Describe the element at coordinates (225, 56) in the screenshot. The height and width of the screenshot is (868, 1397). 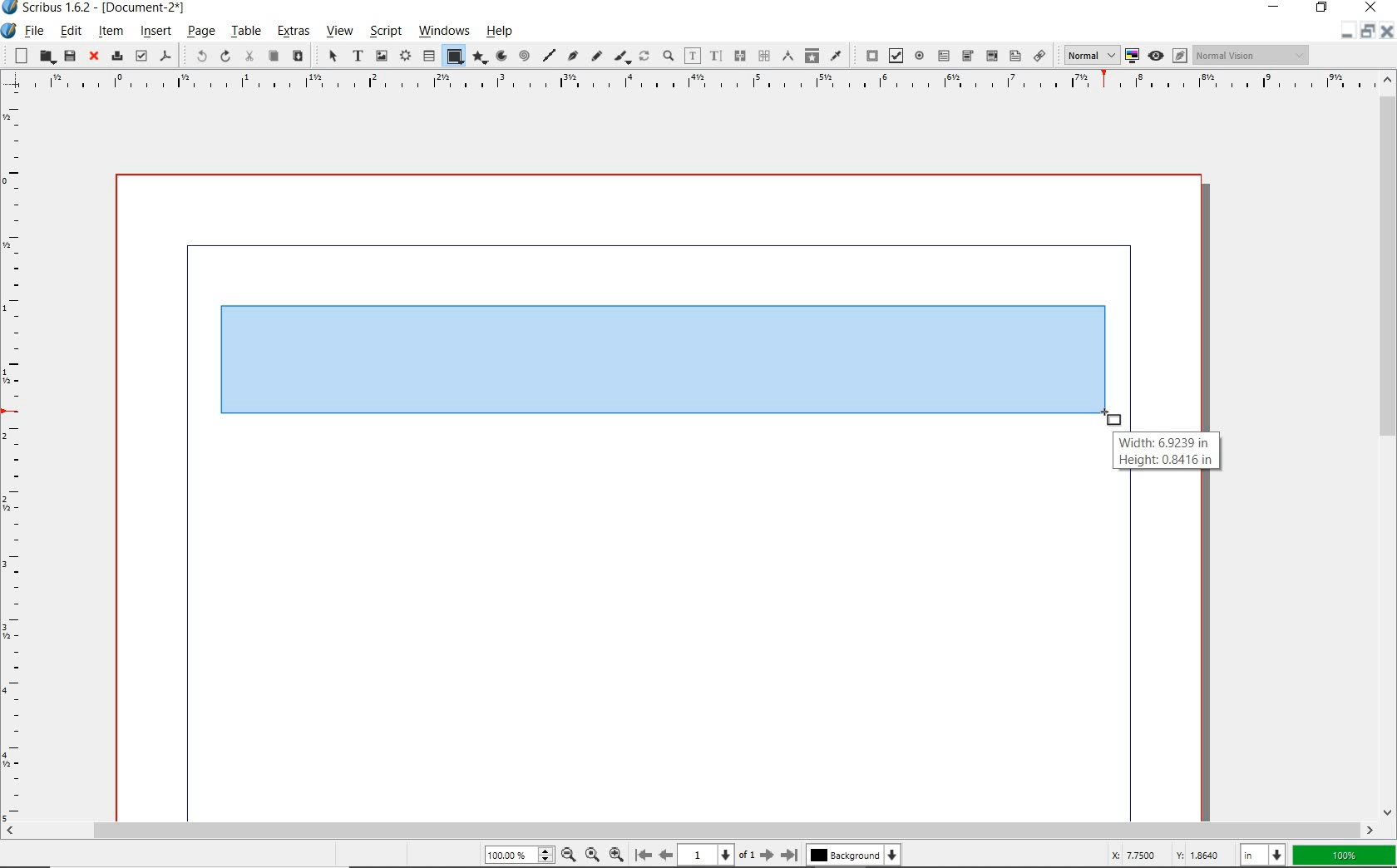
I see `redo` at that location.